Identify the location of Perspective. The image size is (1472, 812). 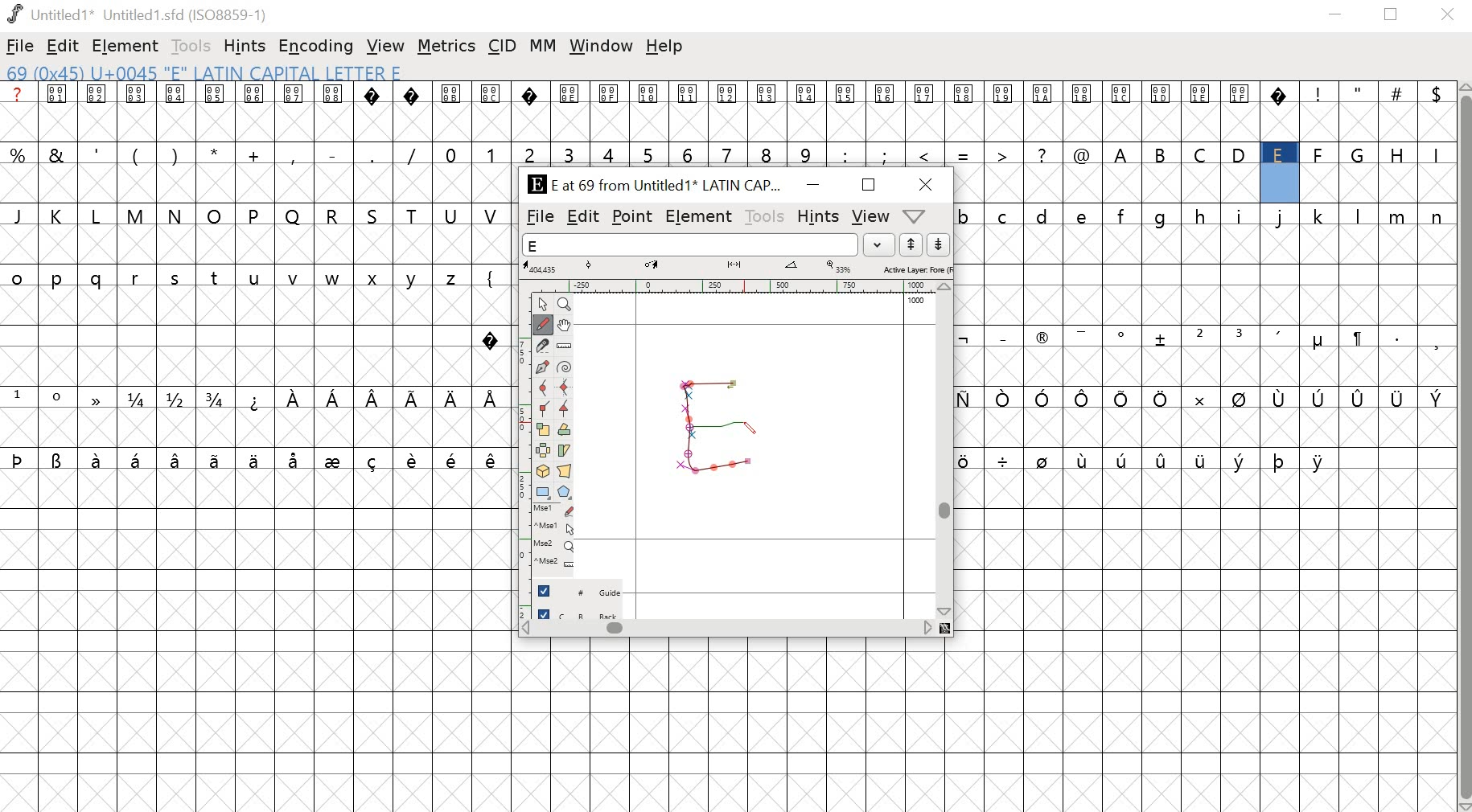
(566, 473).